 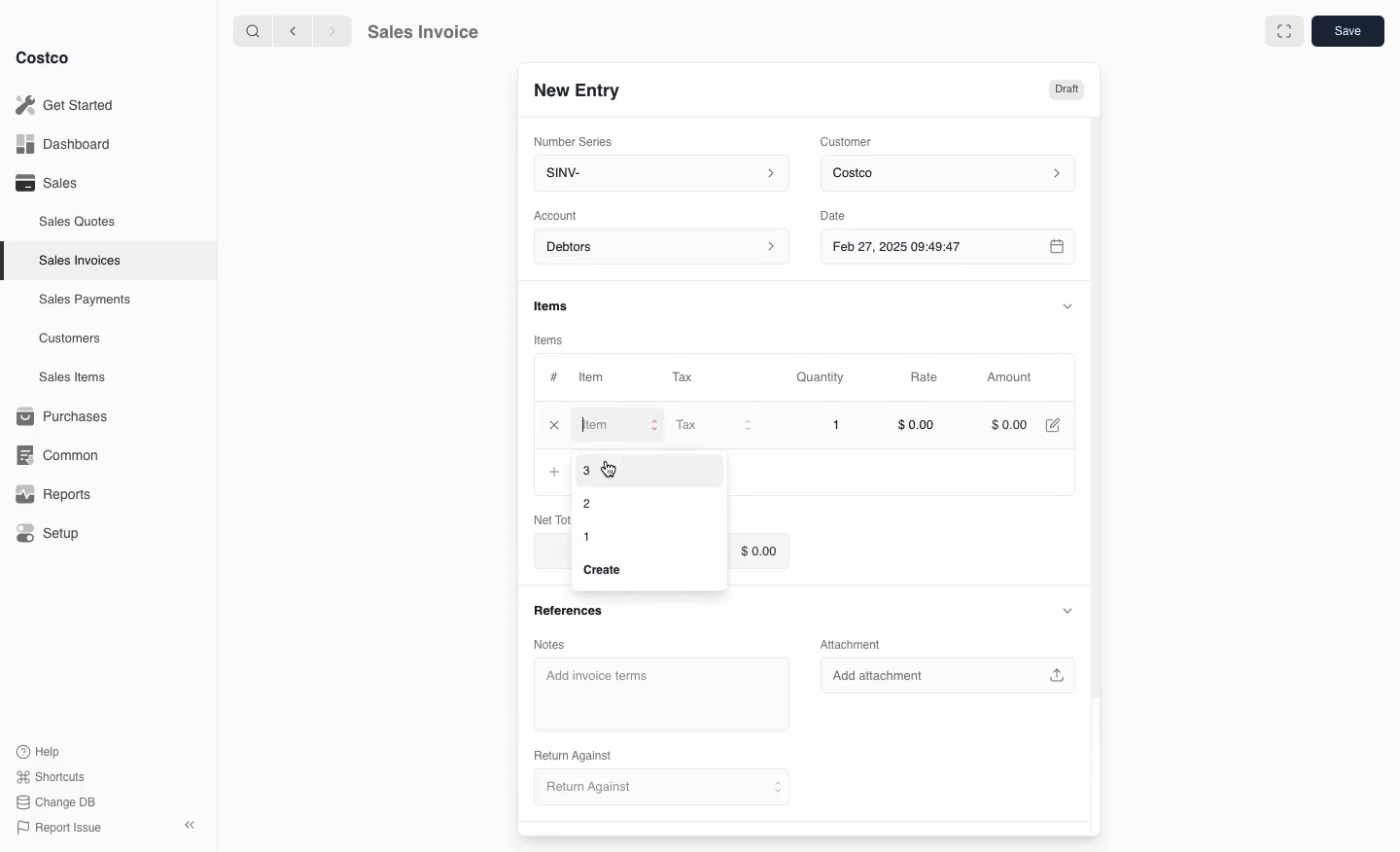 What do you see at coordinates (40, 750) in the screenshot?
I see `Help` at bounding box center [40, 750].